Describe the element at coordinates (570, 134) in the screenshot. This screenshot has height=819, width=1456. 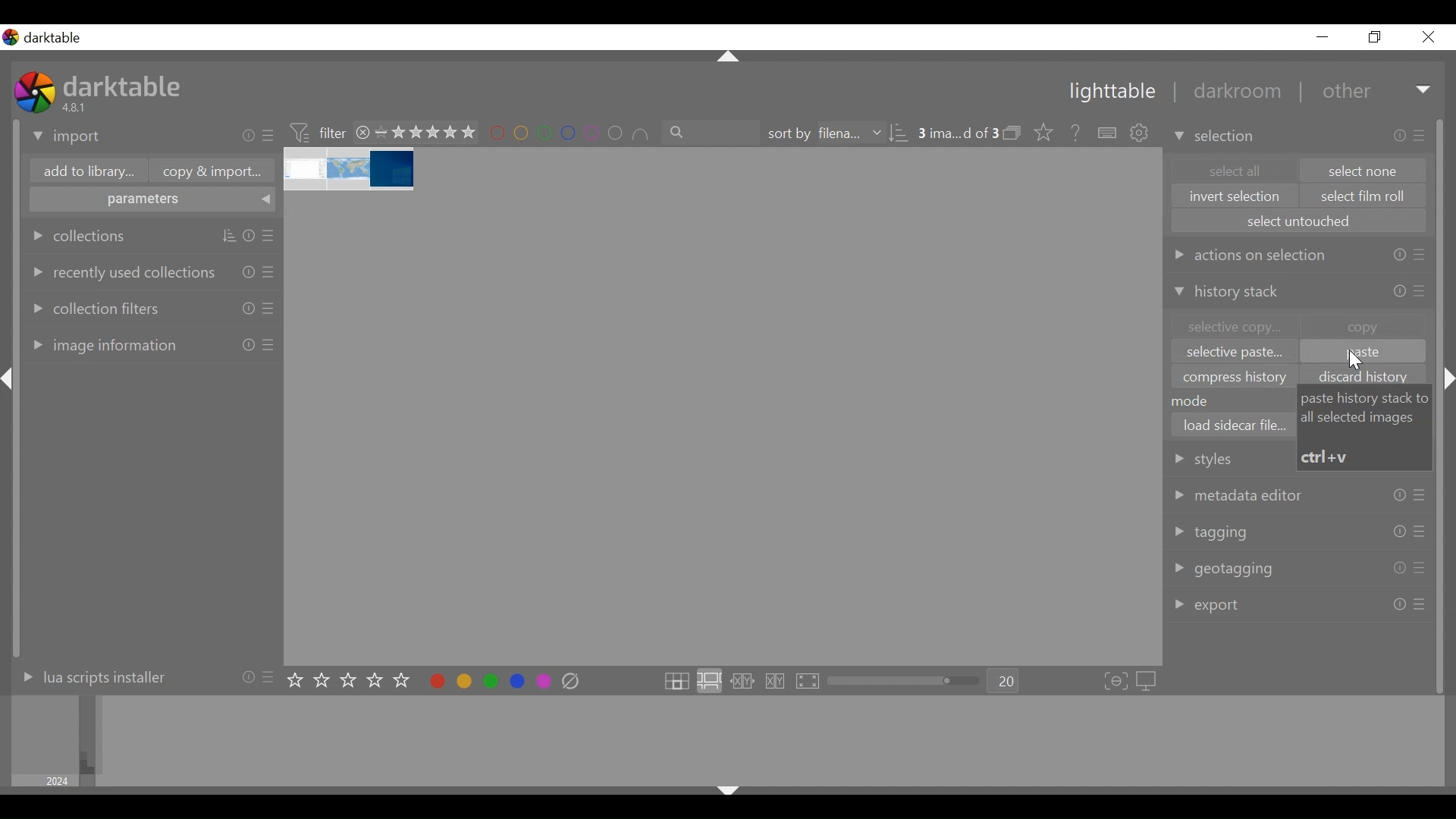
I see `filter by color label` at that location.